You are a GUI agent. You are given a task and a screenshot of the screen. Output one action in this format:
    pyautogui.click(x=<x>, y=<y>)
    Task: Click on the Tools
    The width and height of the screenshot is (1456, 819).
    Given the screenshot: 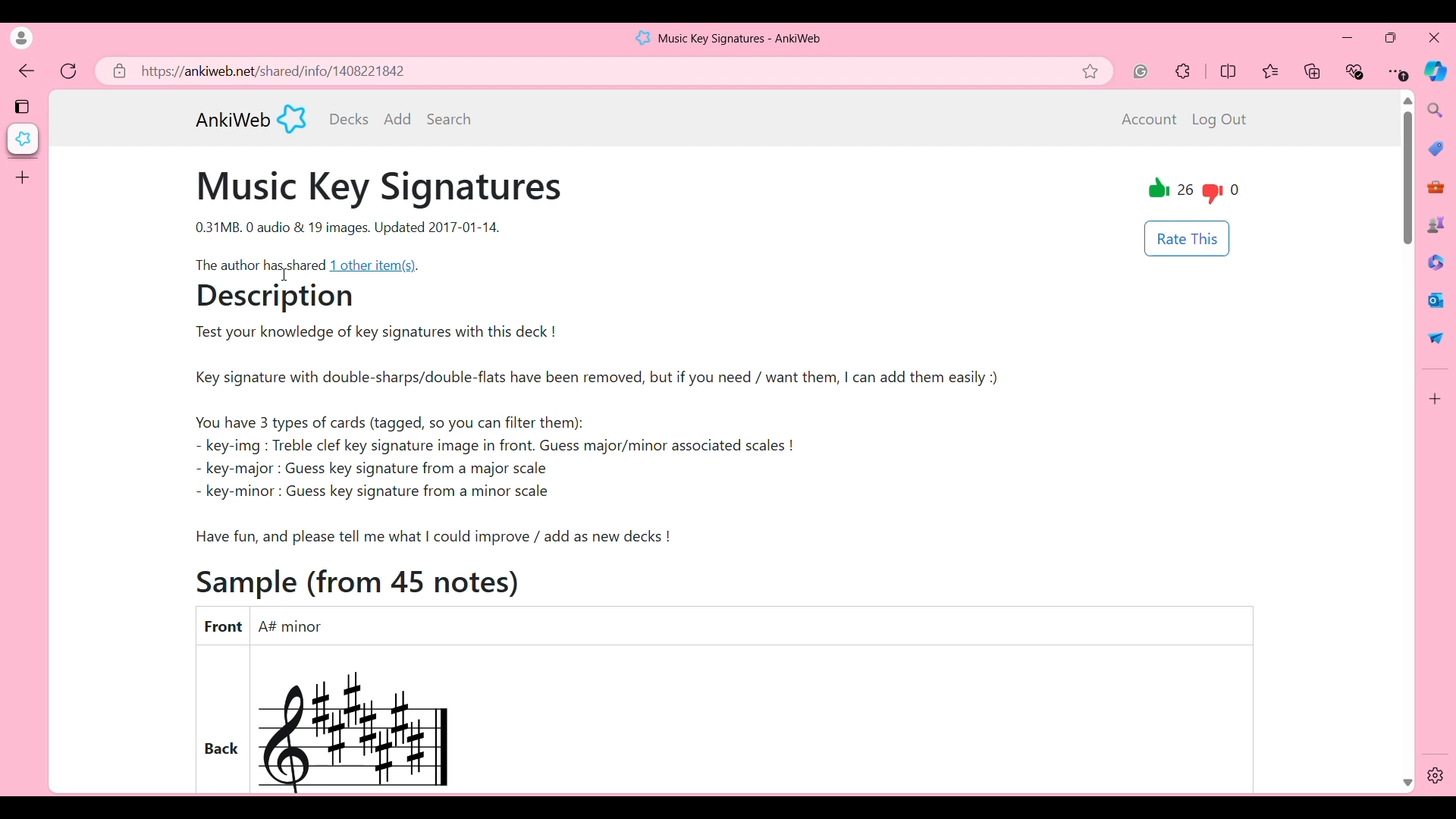 What is the action you would take?
    pyautogui.click(x=1439, y=188)
    